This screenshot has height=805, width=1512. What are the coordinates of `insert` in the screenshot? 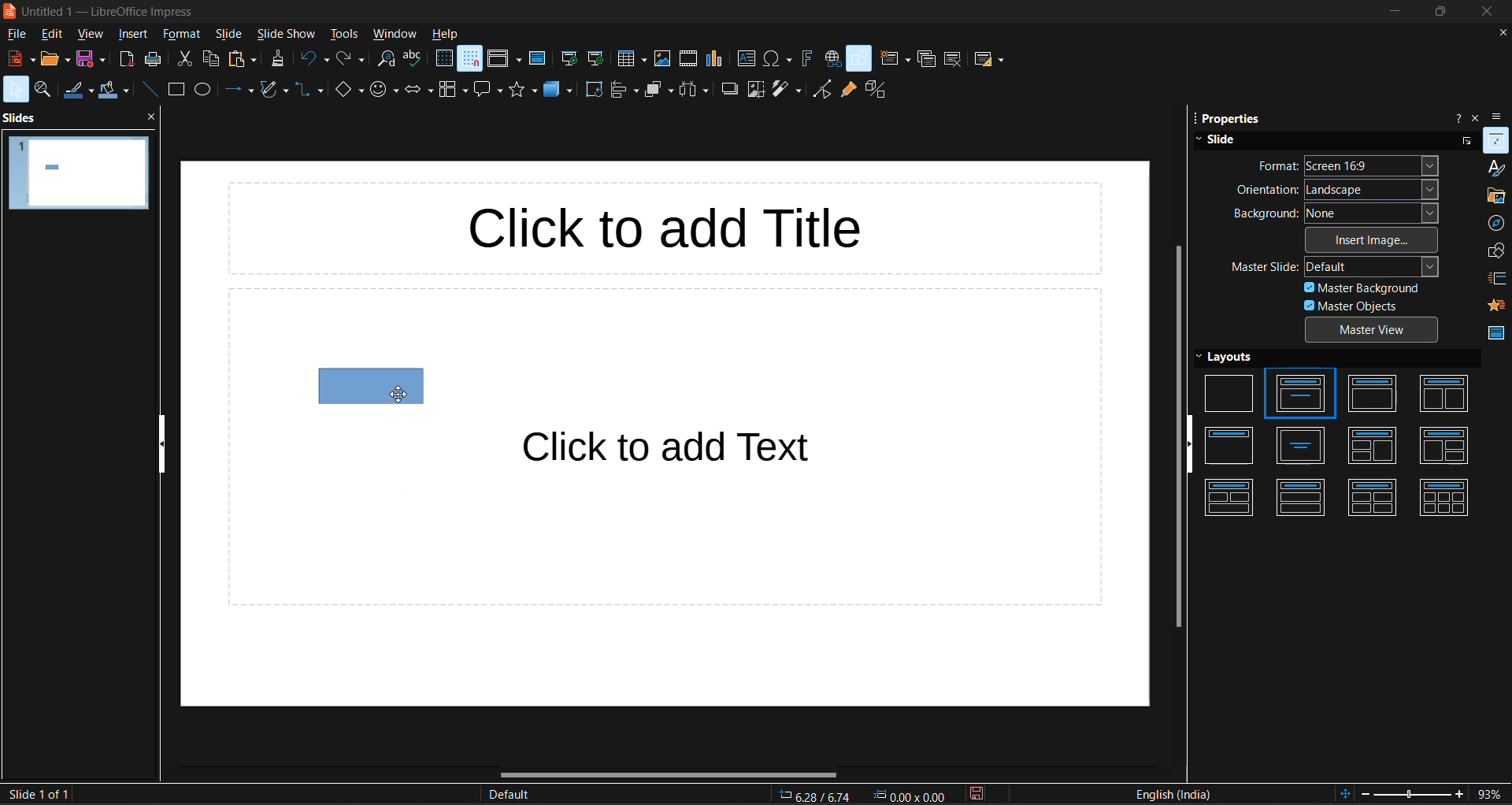 It's located at (133, 35).